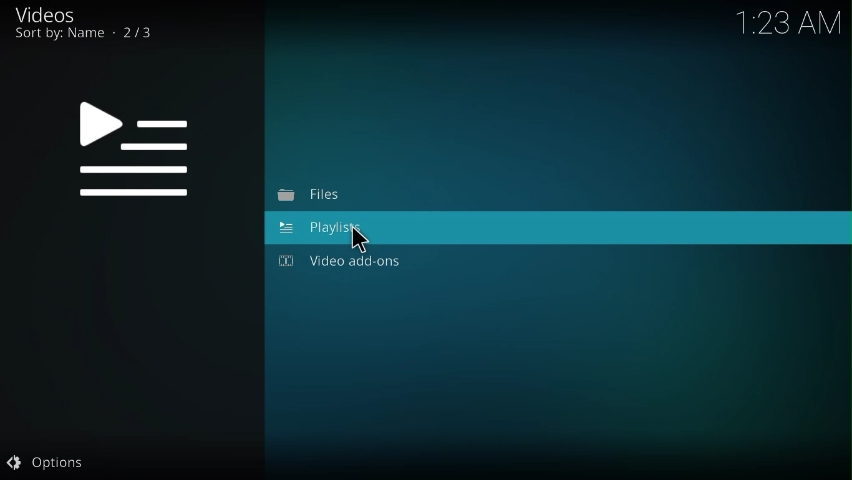 The height and width of the screenshot is (480, 852). What do you see at coordinates (49, 14) in the screenshot?
I see `videos` at bounding box center [49, 14].